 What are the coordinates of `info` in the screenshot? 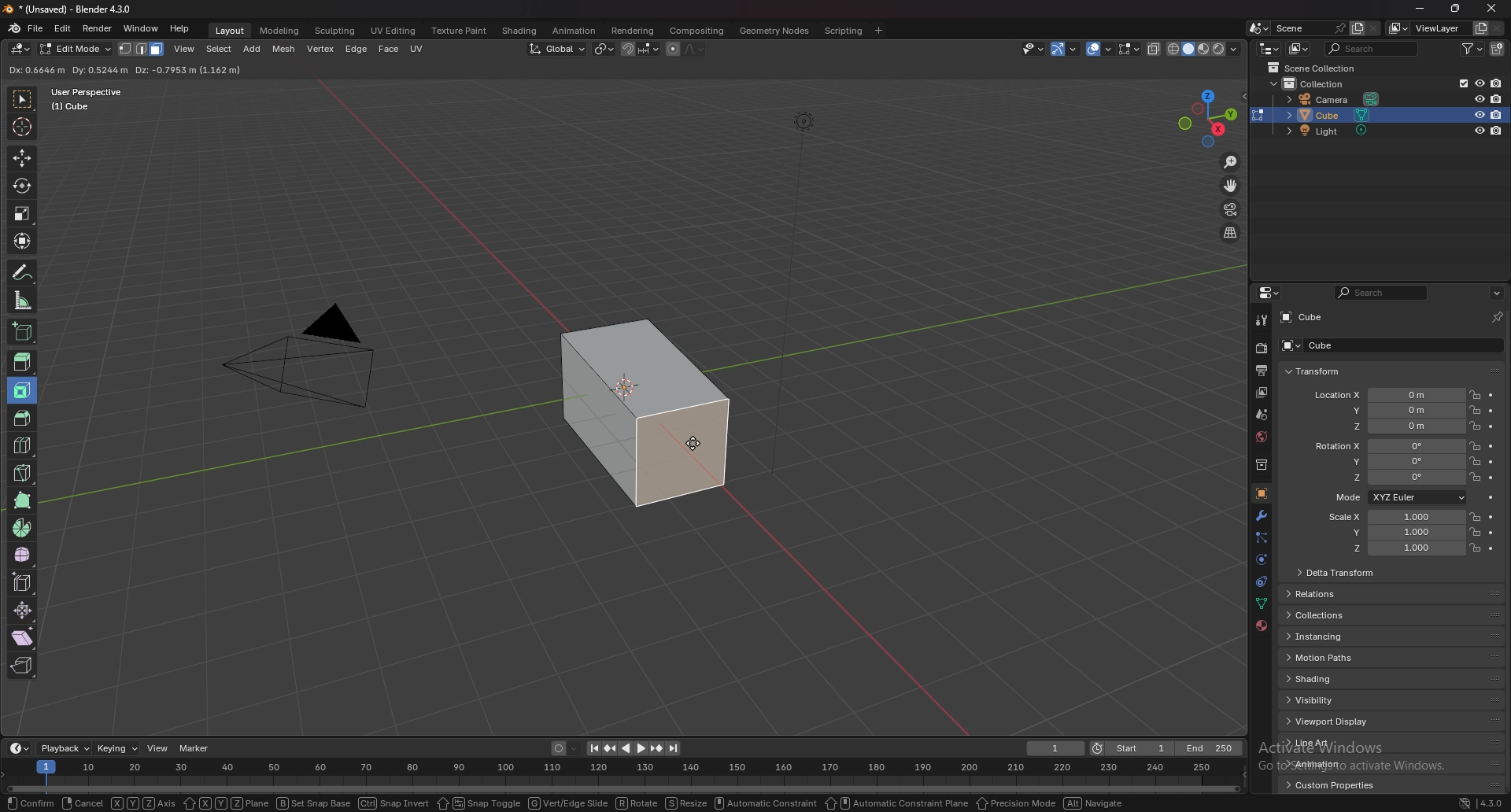 It's located at (99, 98).